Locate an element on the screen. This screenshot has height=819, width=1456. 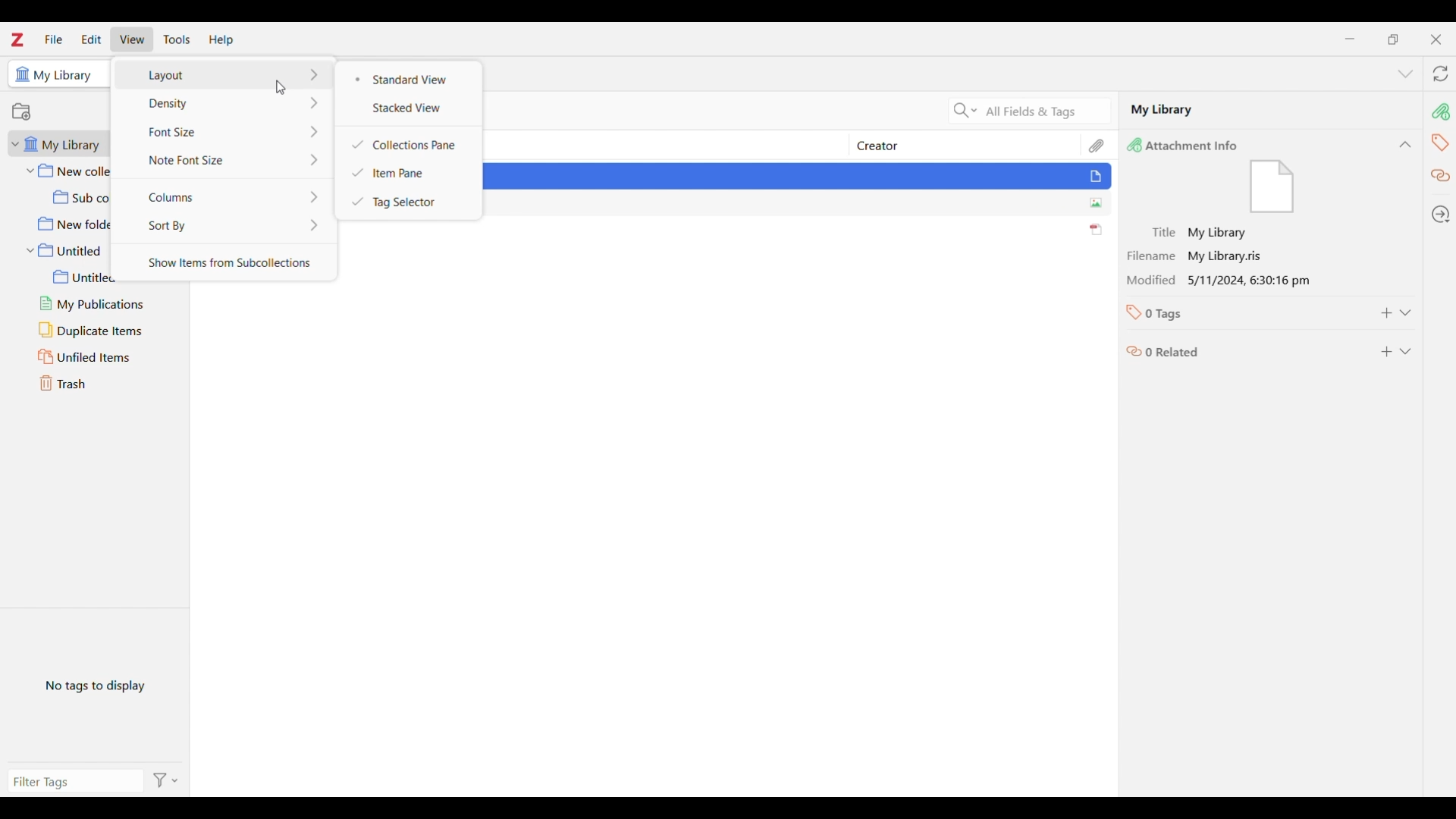
No tags in selected file is located at coordinates (95, 684).